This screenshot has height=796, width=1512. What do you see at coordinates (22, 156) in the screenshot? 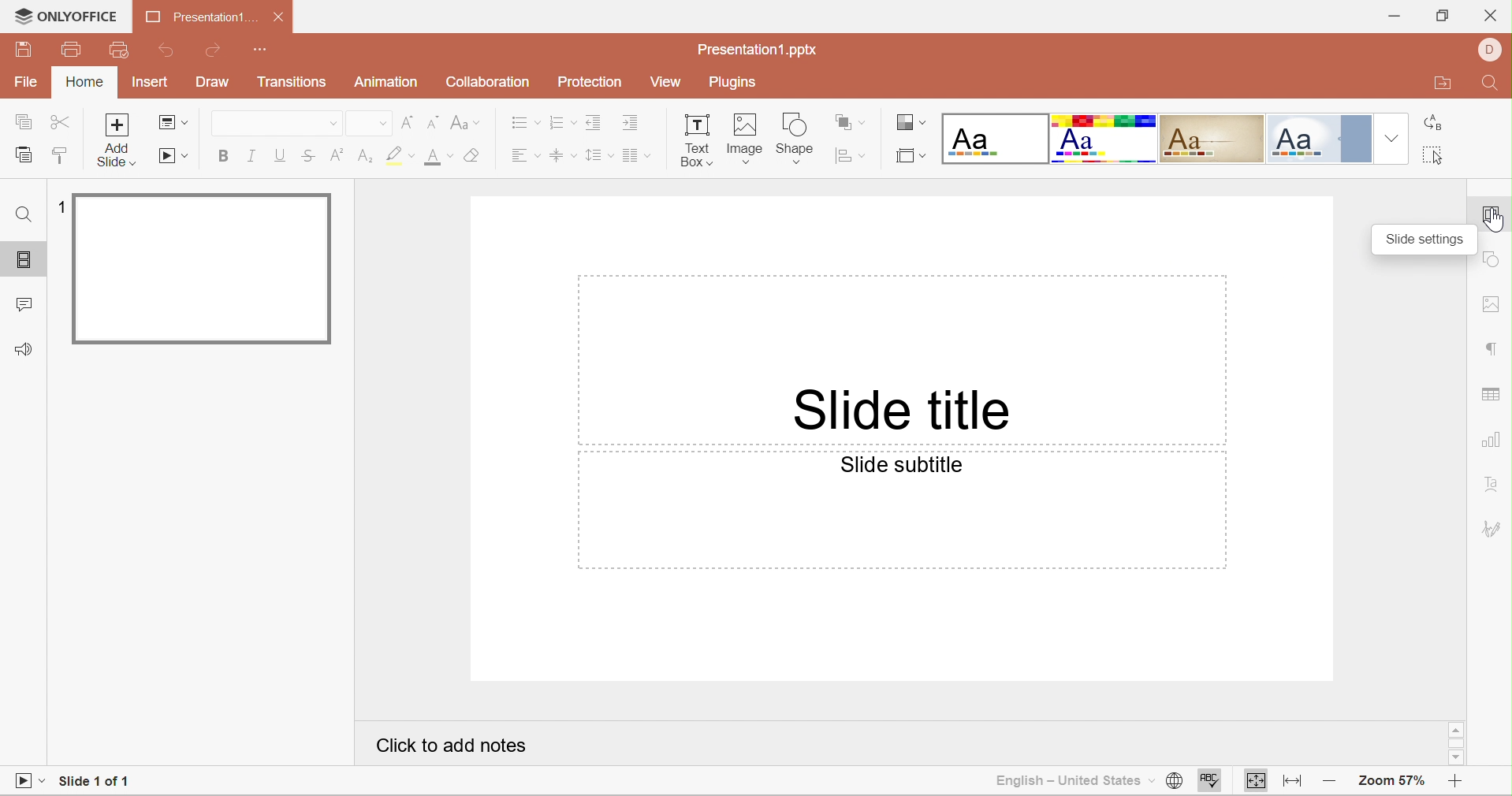
I see `Paste` at bounding box center [22, 156].